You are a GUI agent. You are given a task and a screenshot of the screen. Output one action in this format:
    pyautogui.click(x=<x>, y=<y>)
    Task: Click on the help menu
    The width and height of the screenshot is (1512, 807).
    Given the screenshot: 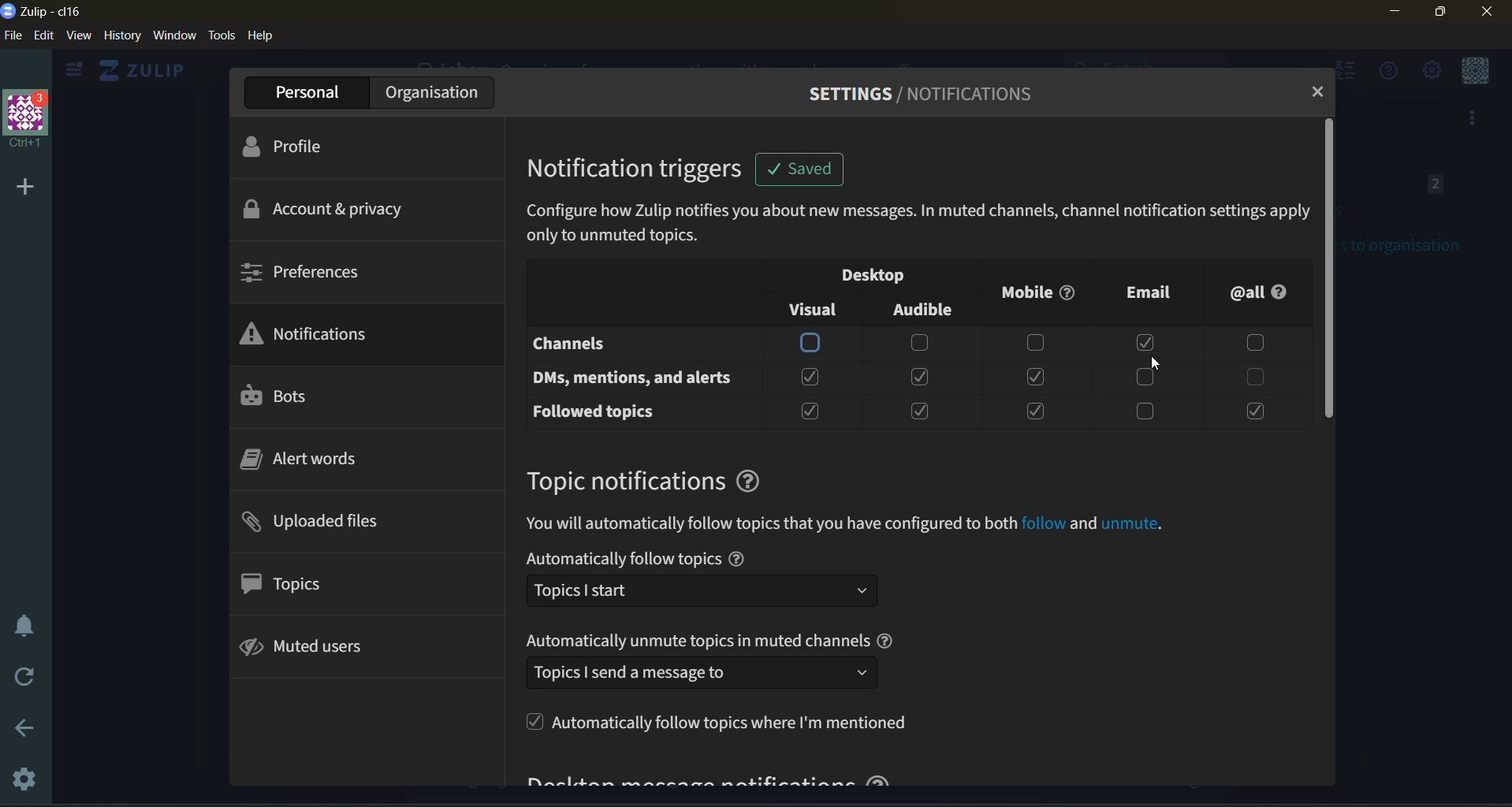 What is the action you would take?
    pyautogui.click(x=1384, y=72)
    